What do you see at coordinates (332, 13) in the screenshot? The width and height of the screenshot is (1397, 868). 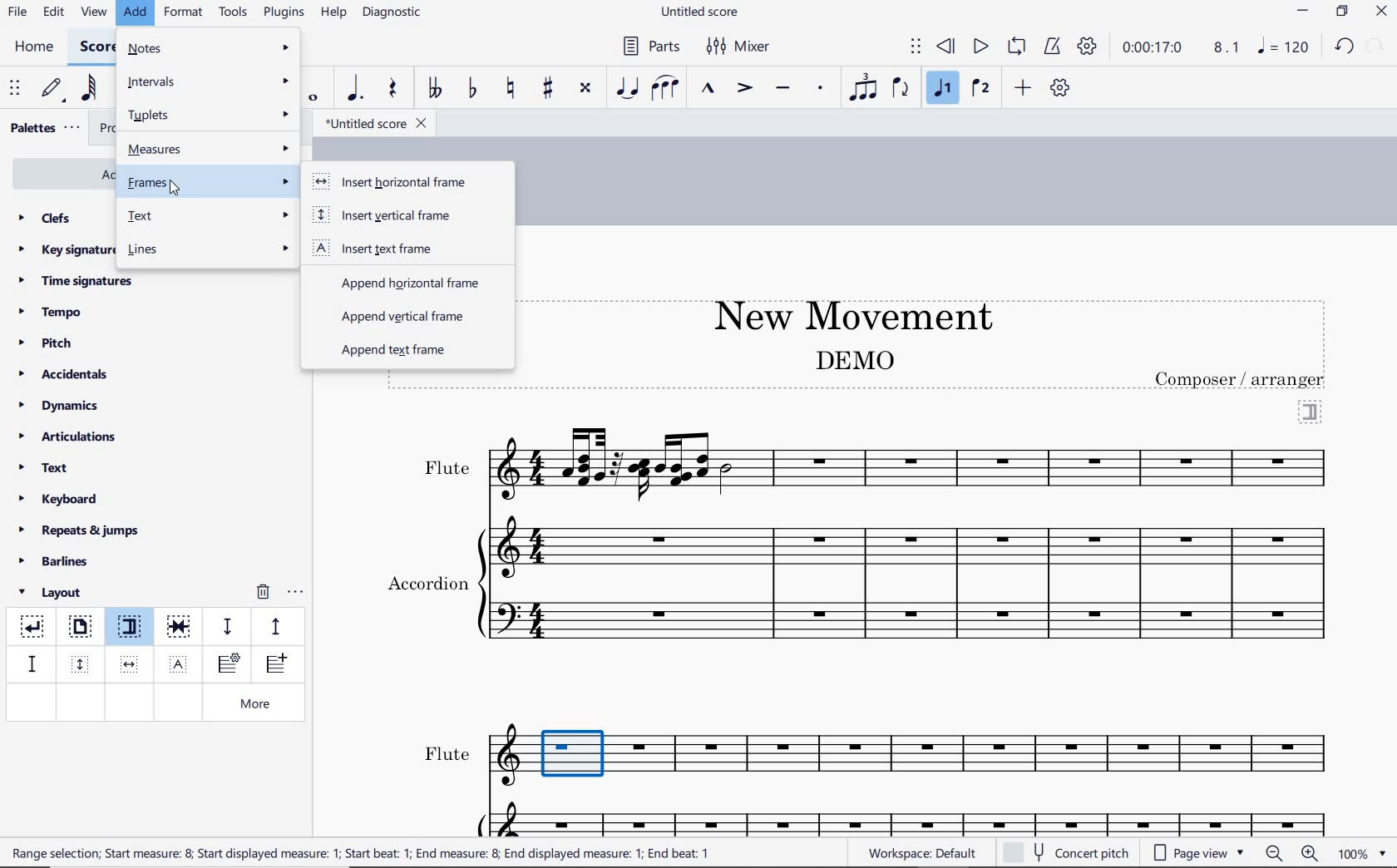 I see `help` at bounding box center [332, 13].